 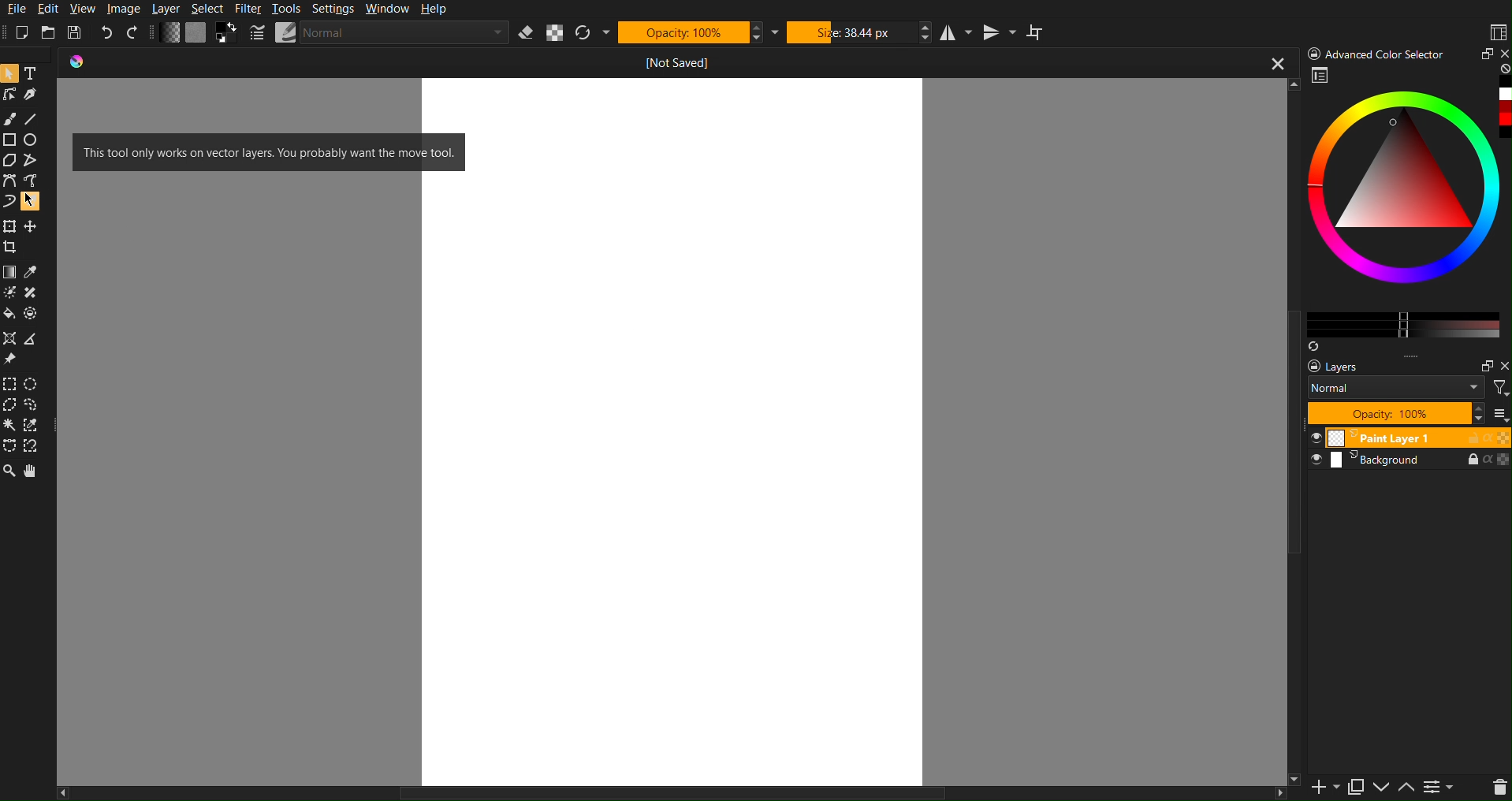 I want to click on Opacity, so click(x=693, y=32).